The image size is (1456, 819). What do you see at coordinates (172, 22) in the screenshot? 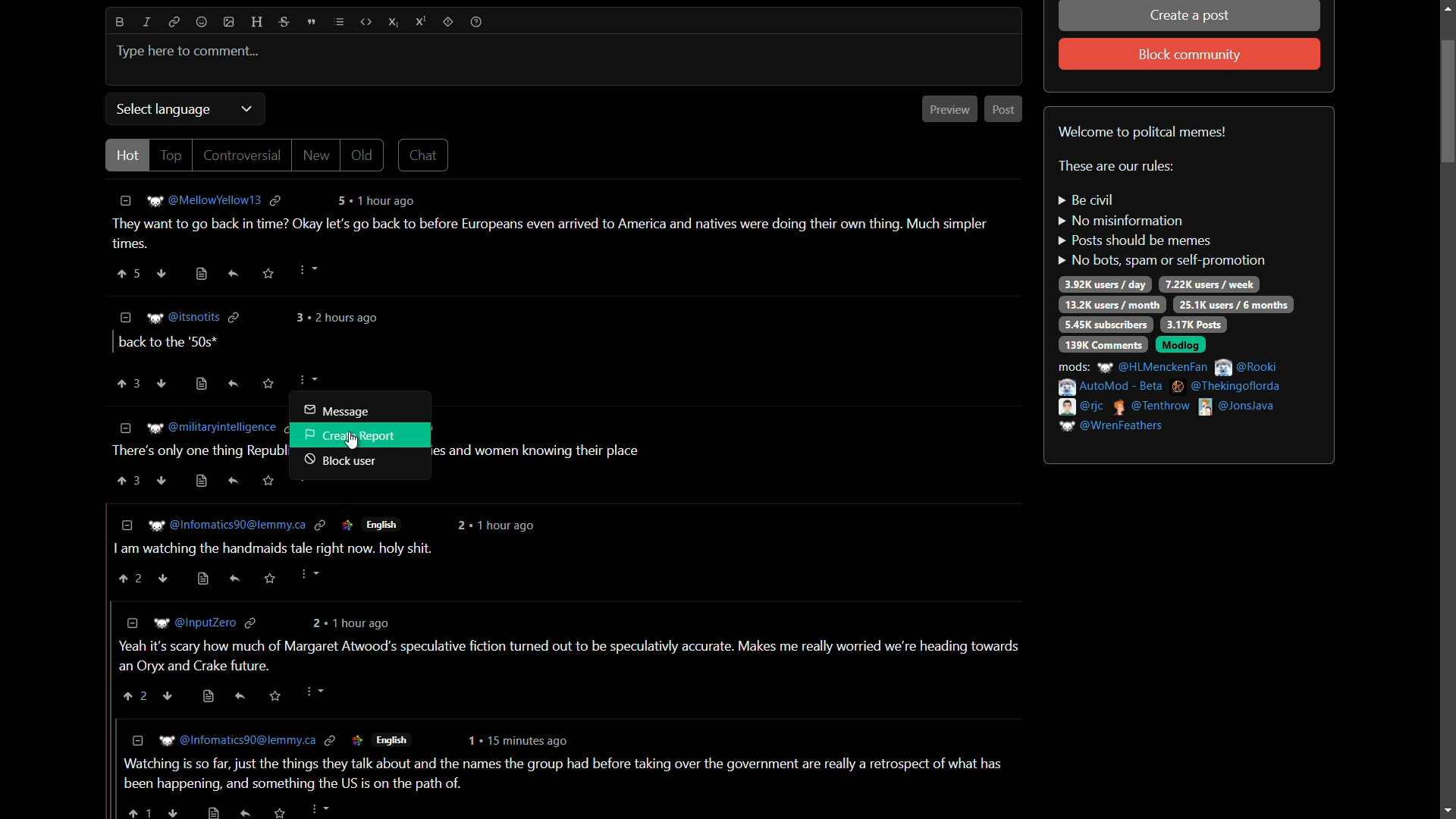
I see `link` at bounding box center [172, 22].